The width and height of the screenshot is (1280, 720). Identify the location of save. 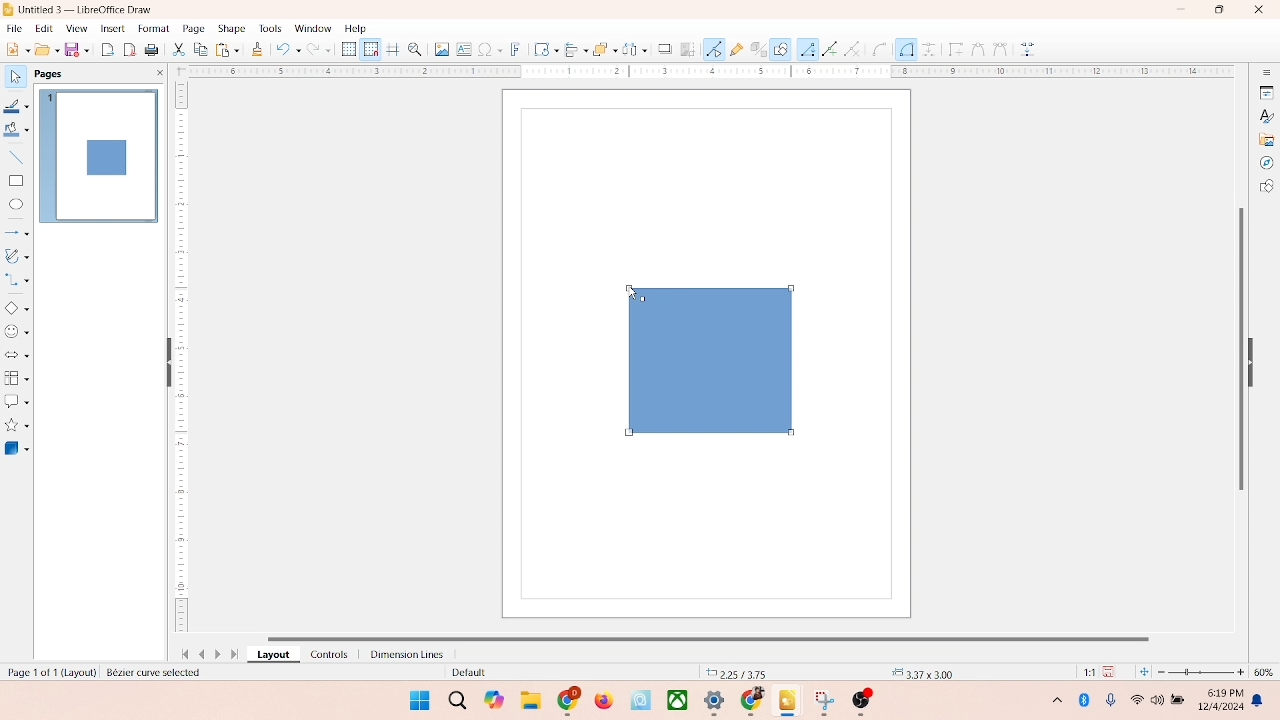
(79, 49).